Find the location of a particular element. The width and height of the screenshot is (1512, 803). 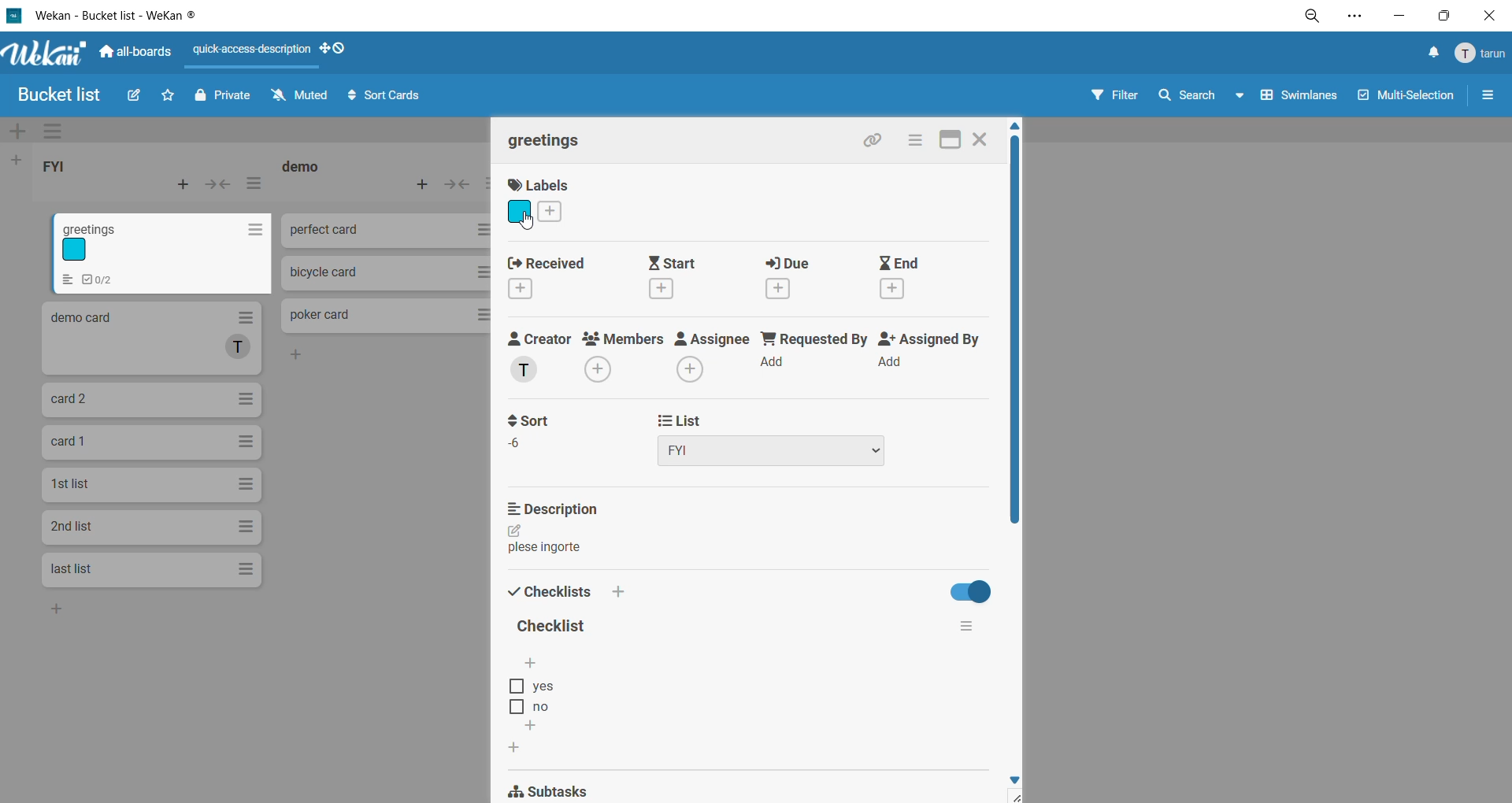

card actions is located at coordinates (919, 139).